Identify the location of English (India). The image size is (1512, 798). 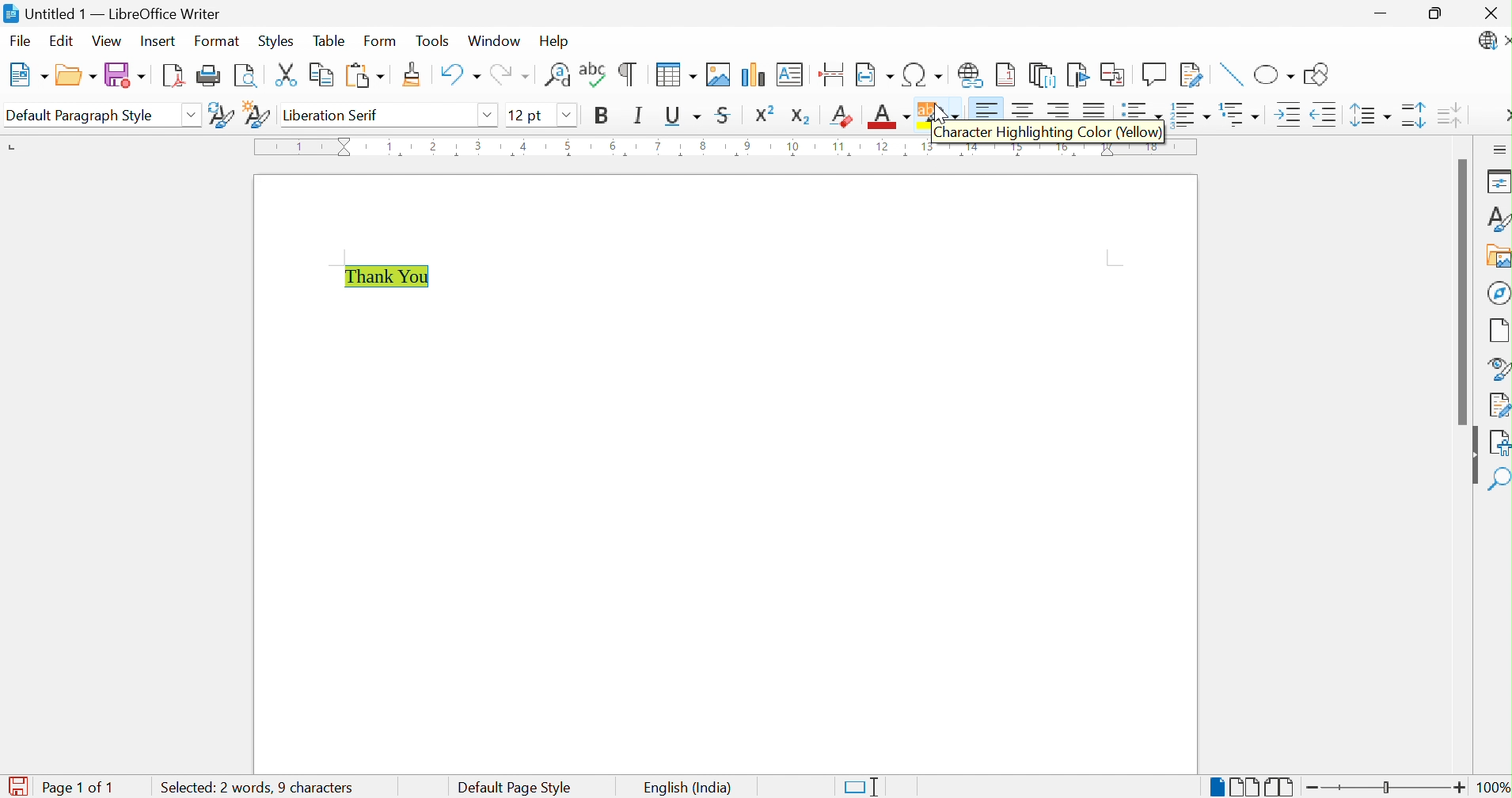
(686, 787).